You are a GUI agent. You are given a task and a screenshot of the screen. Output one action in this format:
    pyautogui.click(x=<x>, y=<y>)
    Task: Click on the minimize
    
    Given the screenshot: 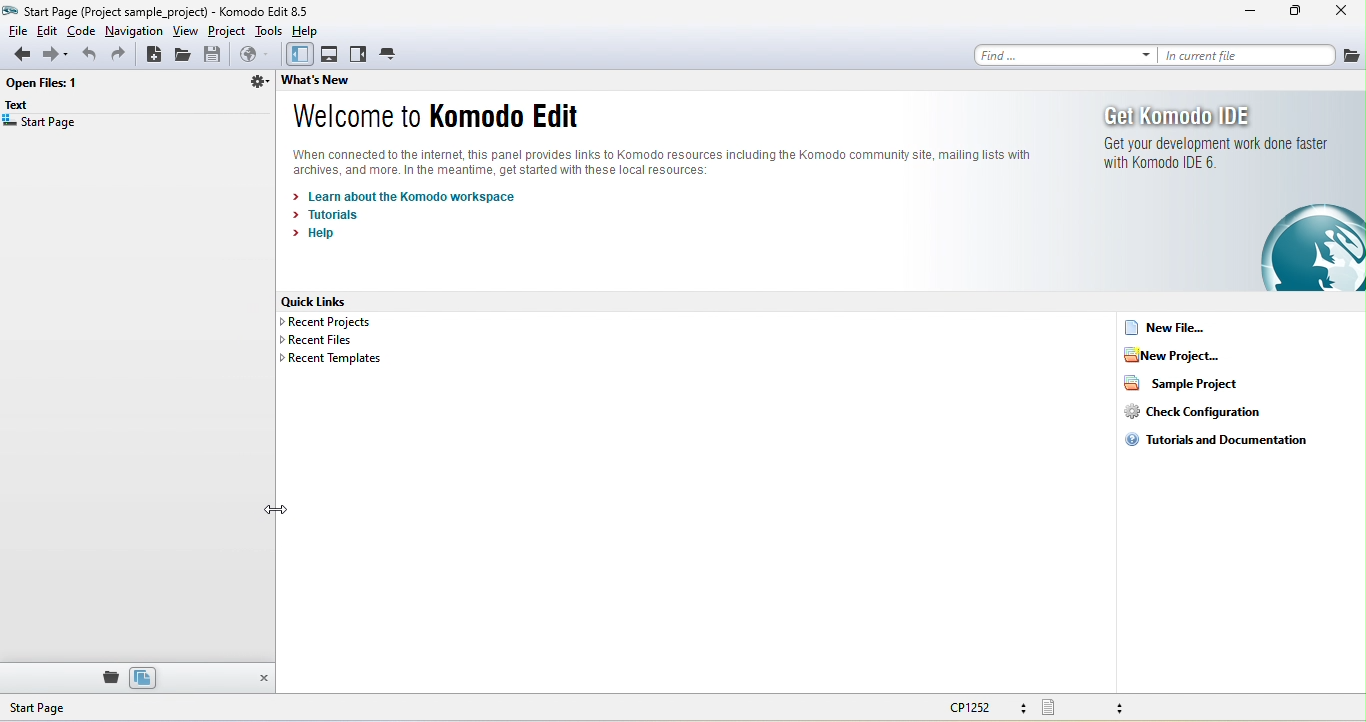 What is the action you would take?
    pyautogui.click(x=1251, y=14)
    